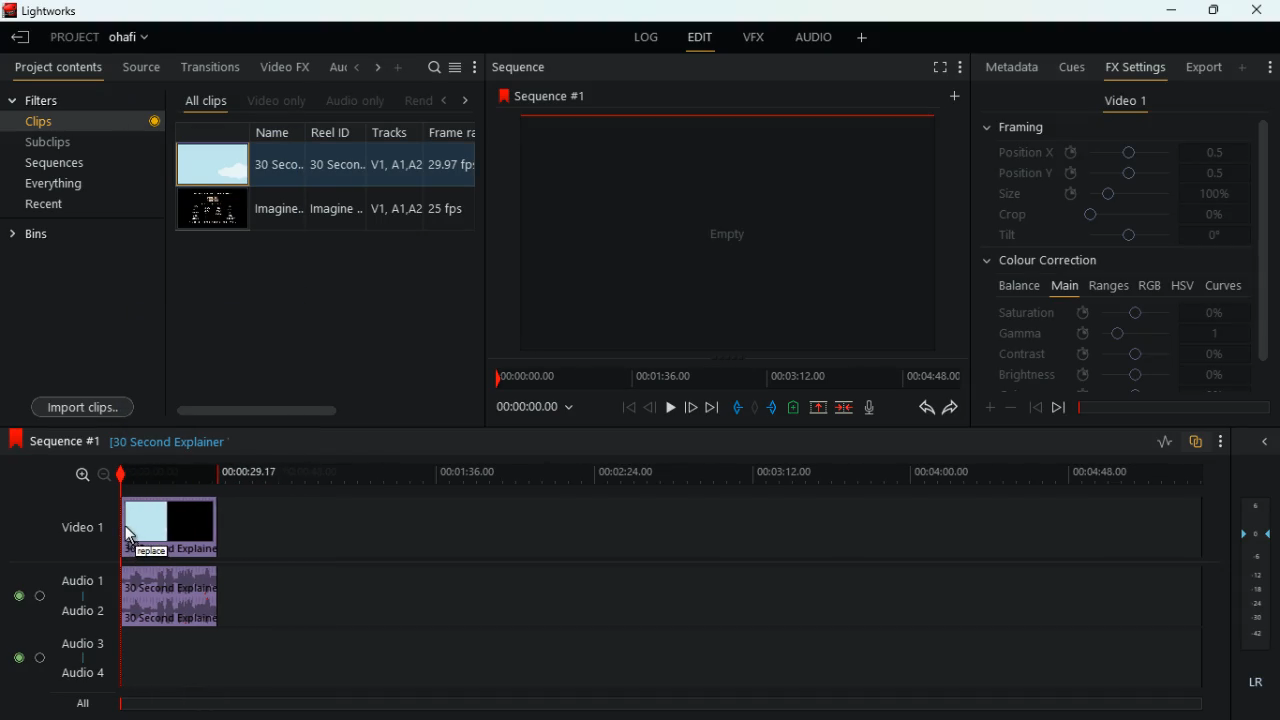 The image size is (1280, 720). Describe the element at coordinates (960, 67) in the screenshot. I see `add` at that location.